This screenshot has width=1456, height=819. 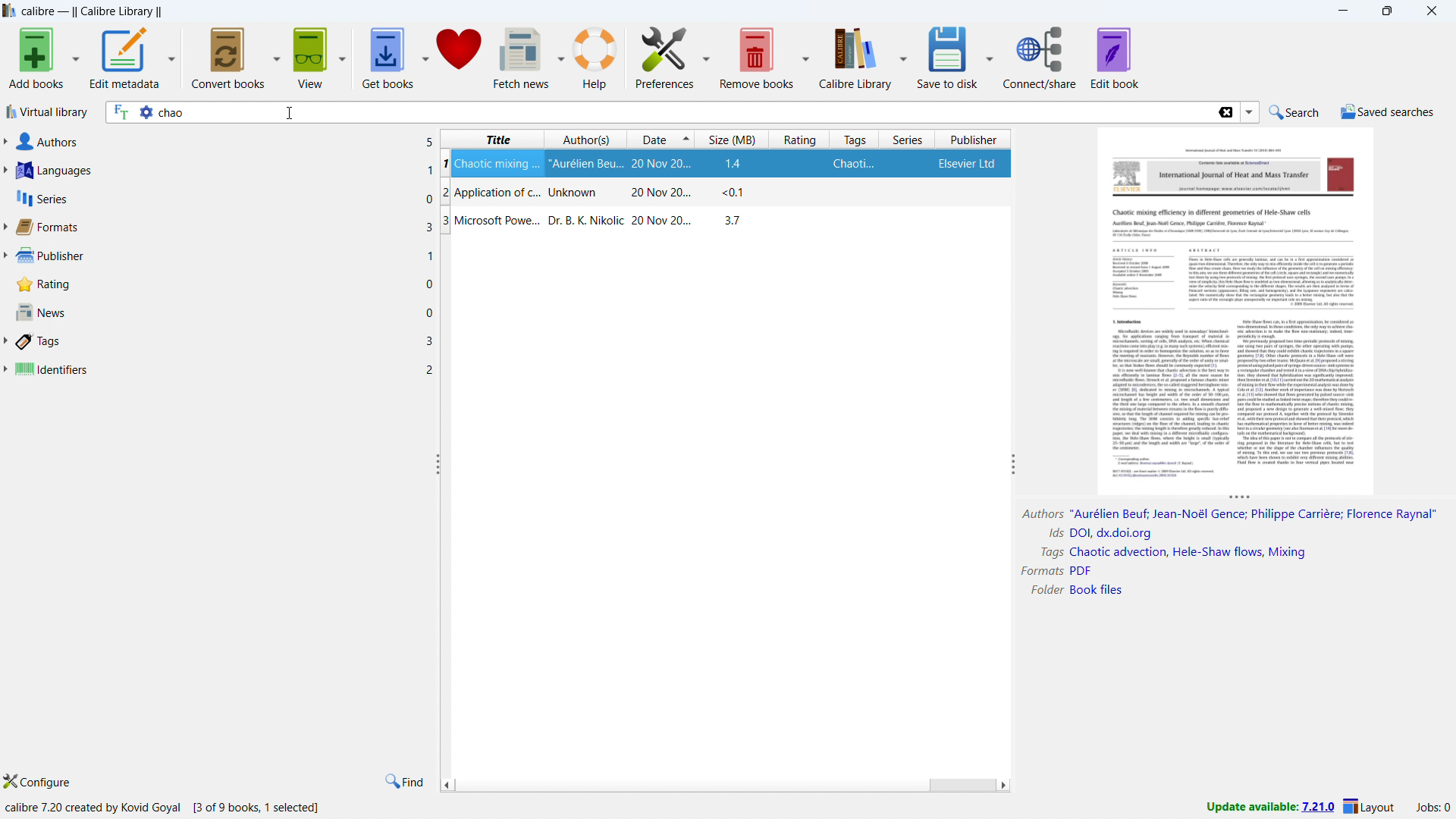 What do you see at coordinates (224, 284) in the screenshot?
I see `rating` at bounding box center [224, 284].